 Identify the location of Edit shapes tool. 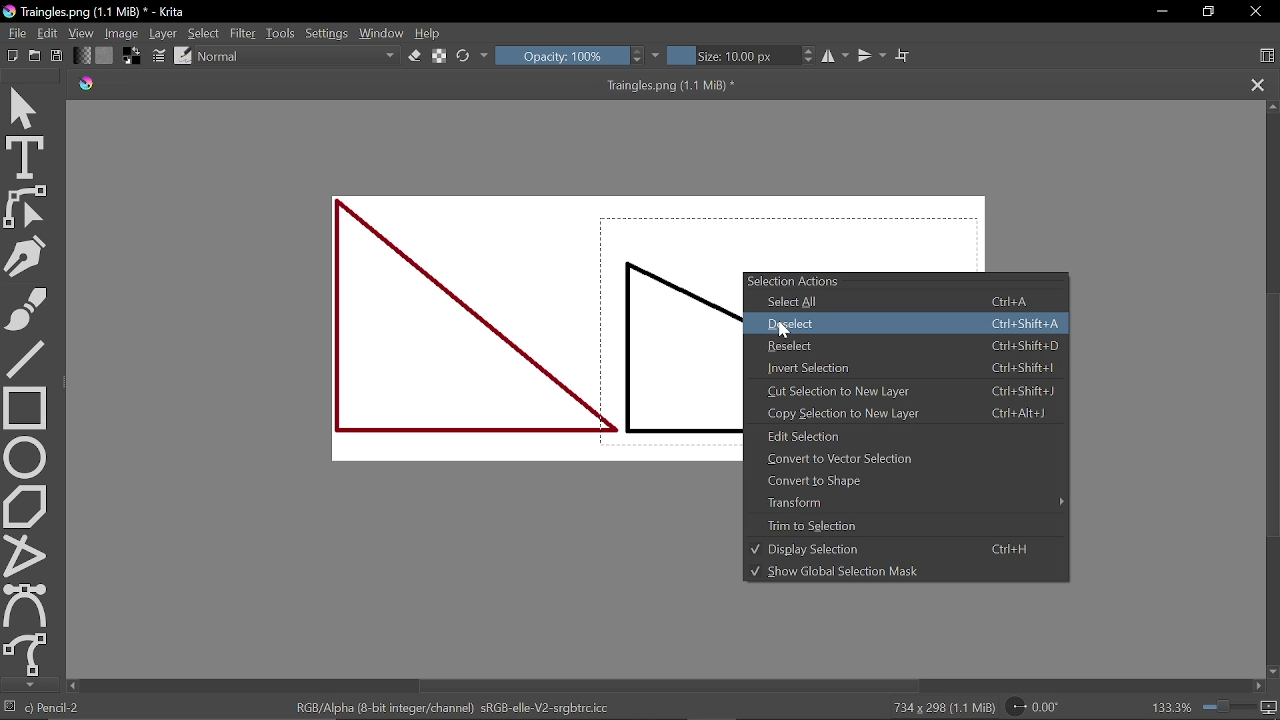
(24, 207).